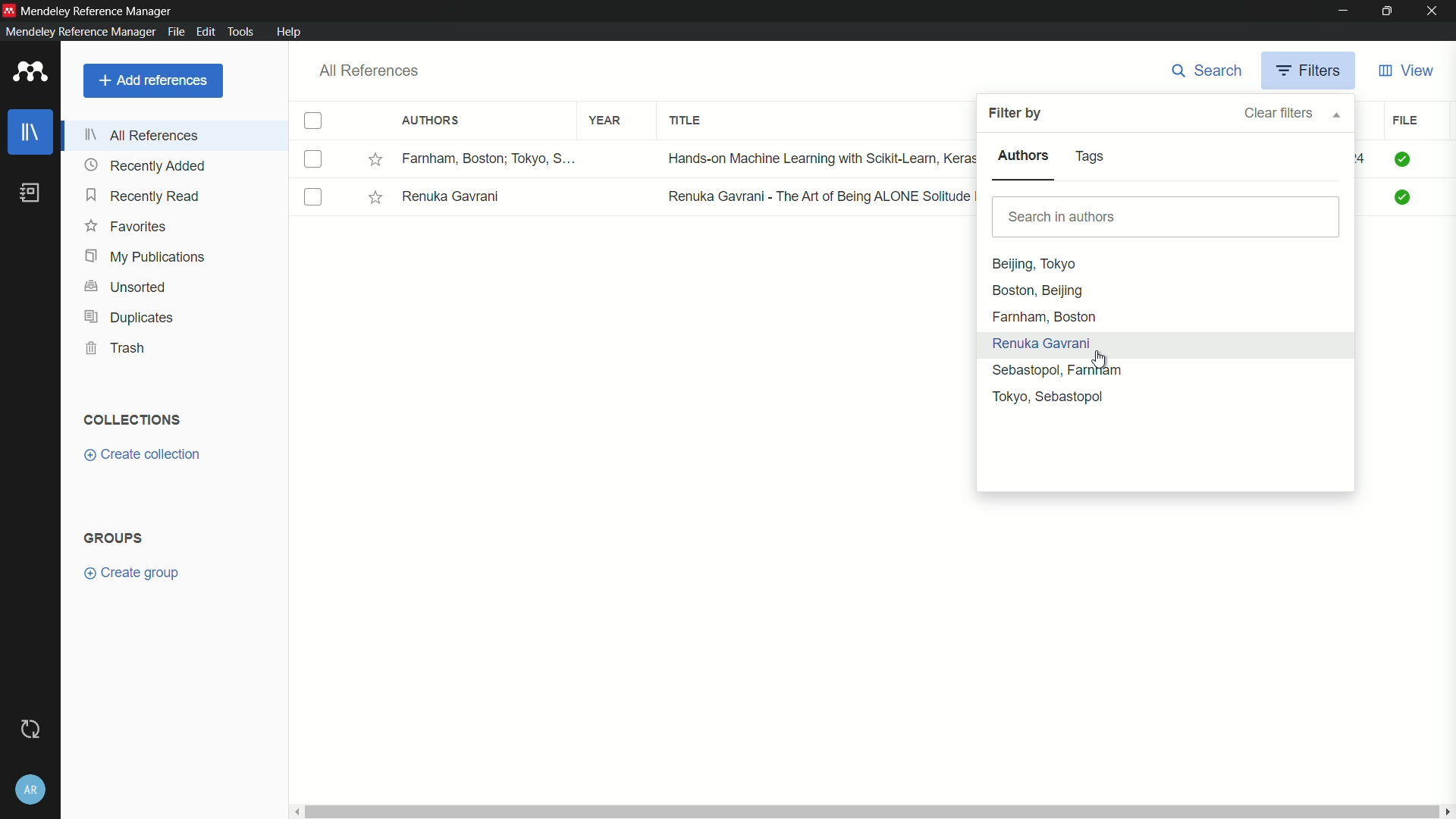 The width and height of the screenshot is (1456, 819). I want to click on app icon, so click(9, 9).